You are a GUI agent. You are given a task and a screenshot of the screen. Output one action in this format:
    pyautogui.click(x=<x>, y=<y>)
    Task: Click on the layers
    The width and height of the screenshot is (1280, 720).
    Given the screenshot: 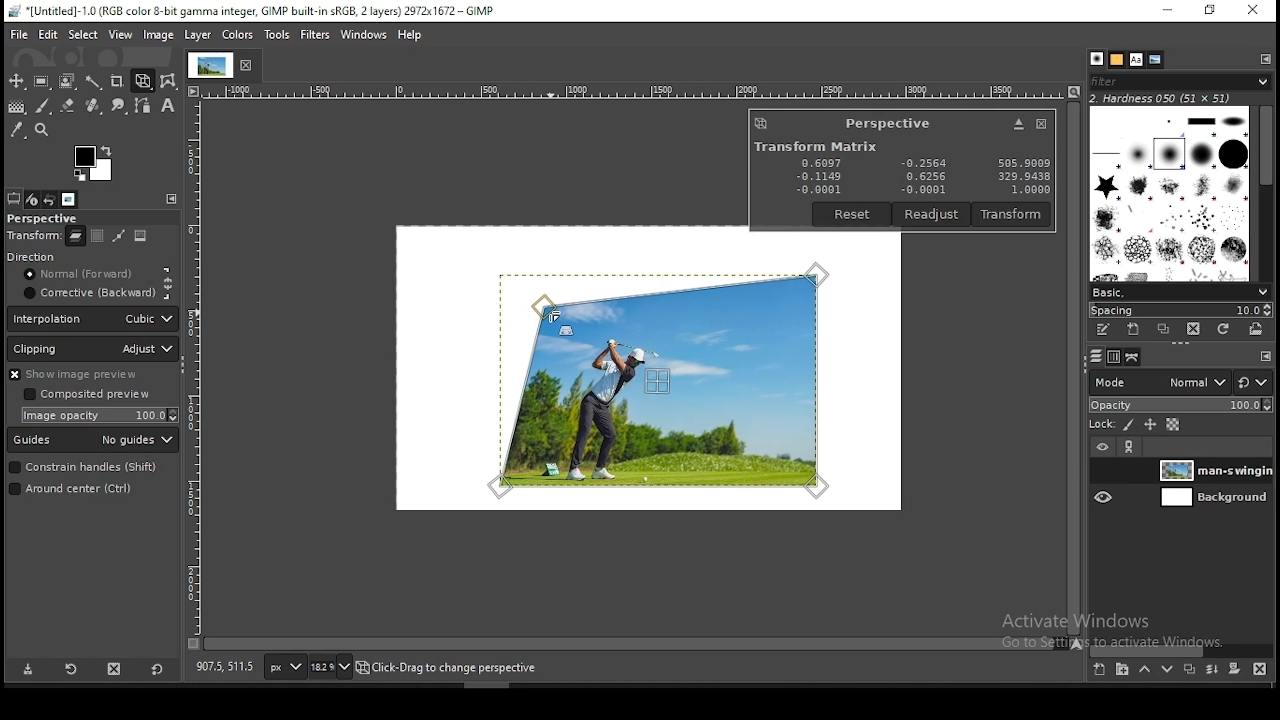 What is the action you would take?
    pyautogui.click(x=1096, y=358)
    